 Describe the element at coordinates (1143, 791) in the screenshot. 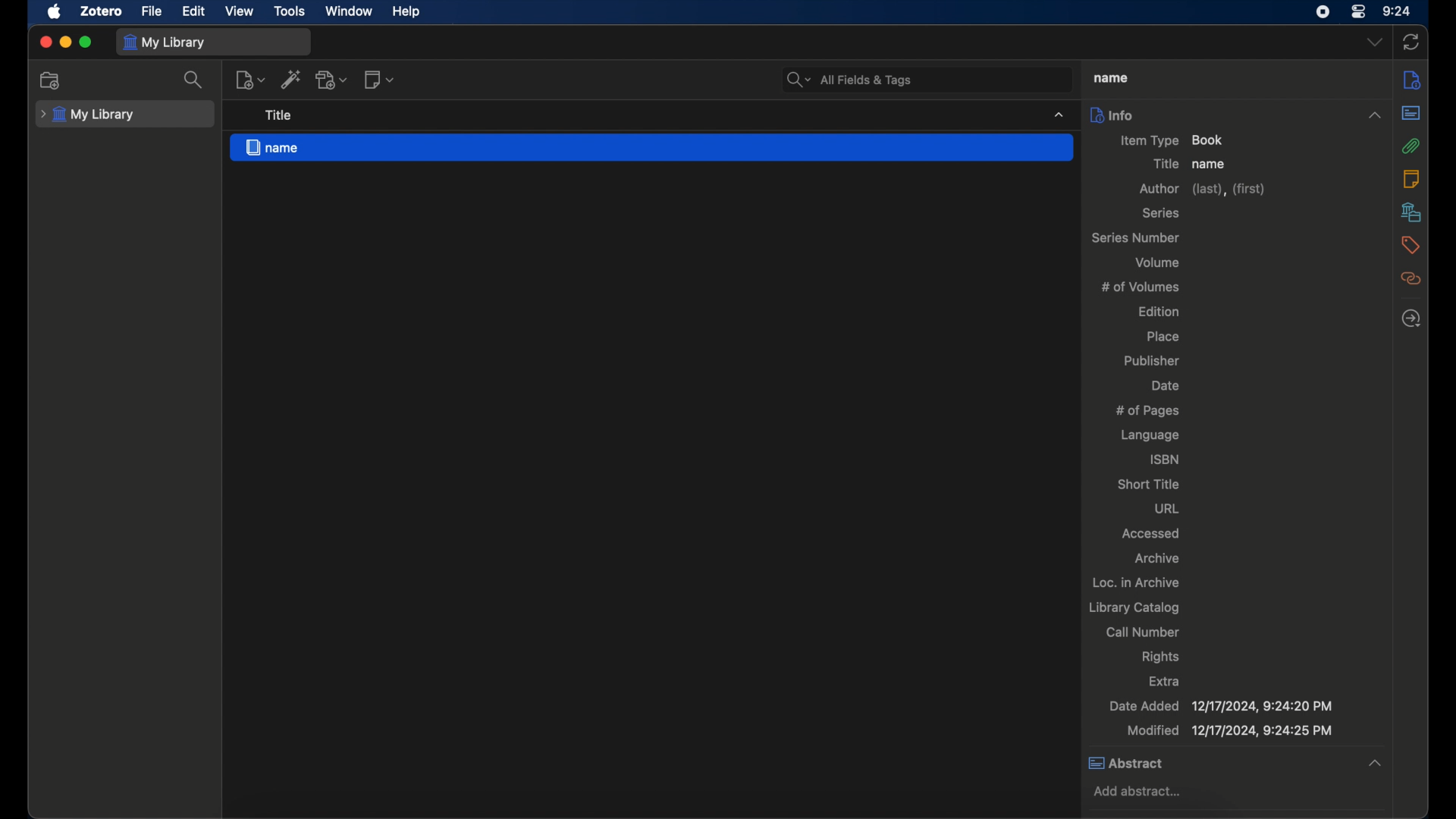

I see `add abstract` at that location.